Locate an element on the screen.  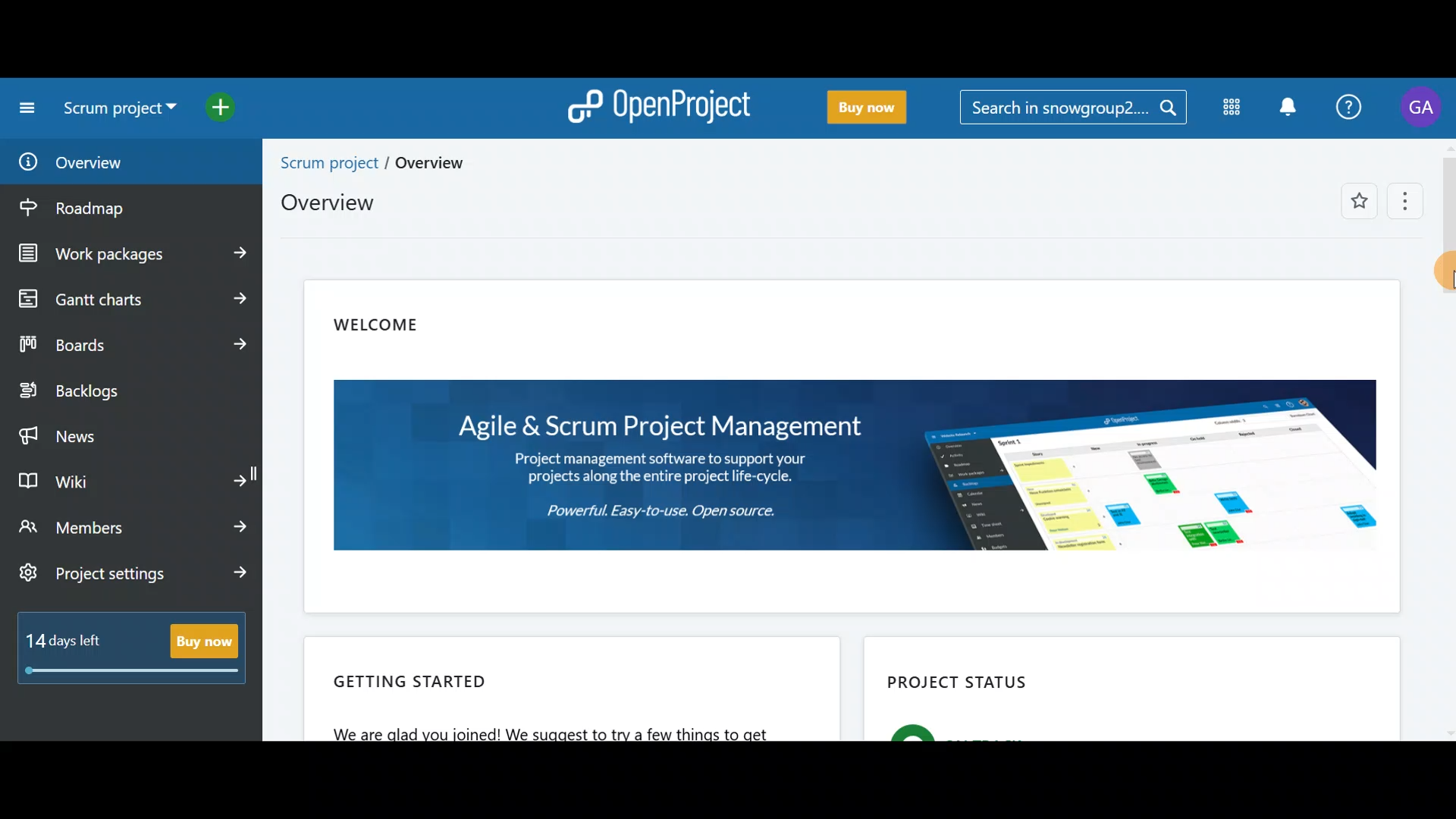
Help is located at coordinates (1351, 105).